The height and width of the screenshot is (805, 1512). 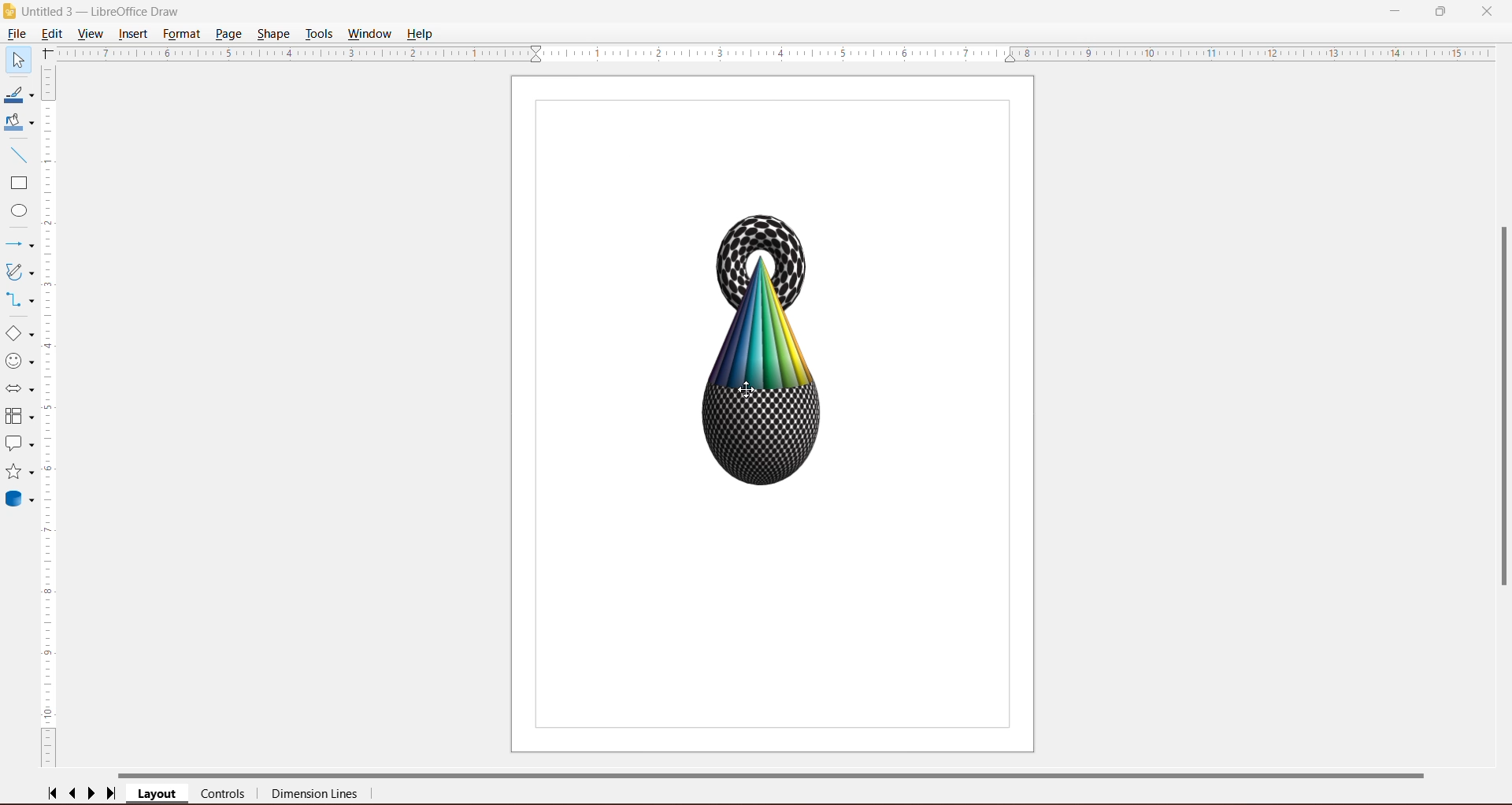 What do you see at coordinates (18, 184) in the screenshot?
I see `Rectangle` at bounding box center [18, 184].